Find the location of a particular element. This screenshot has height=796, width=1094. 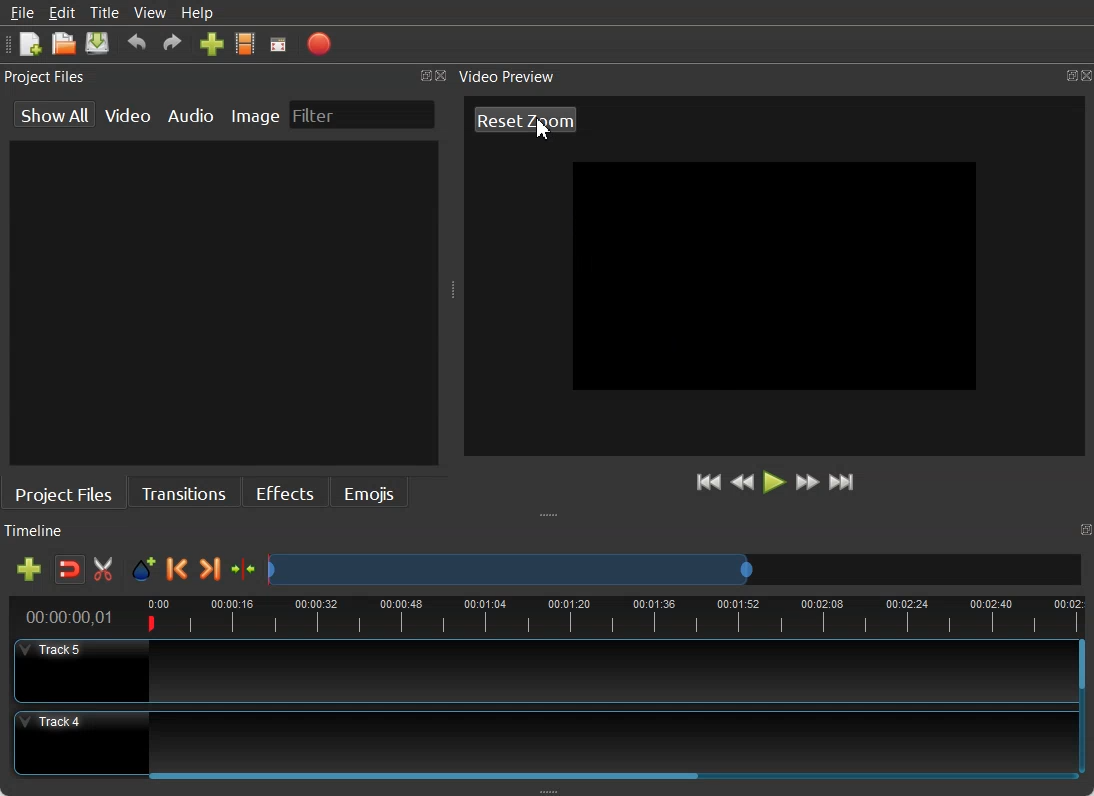

Window Adjuster is located at coordinates (548, 514).